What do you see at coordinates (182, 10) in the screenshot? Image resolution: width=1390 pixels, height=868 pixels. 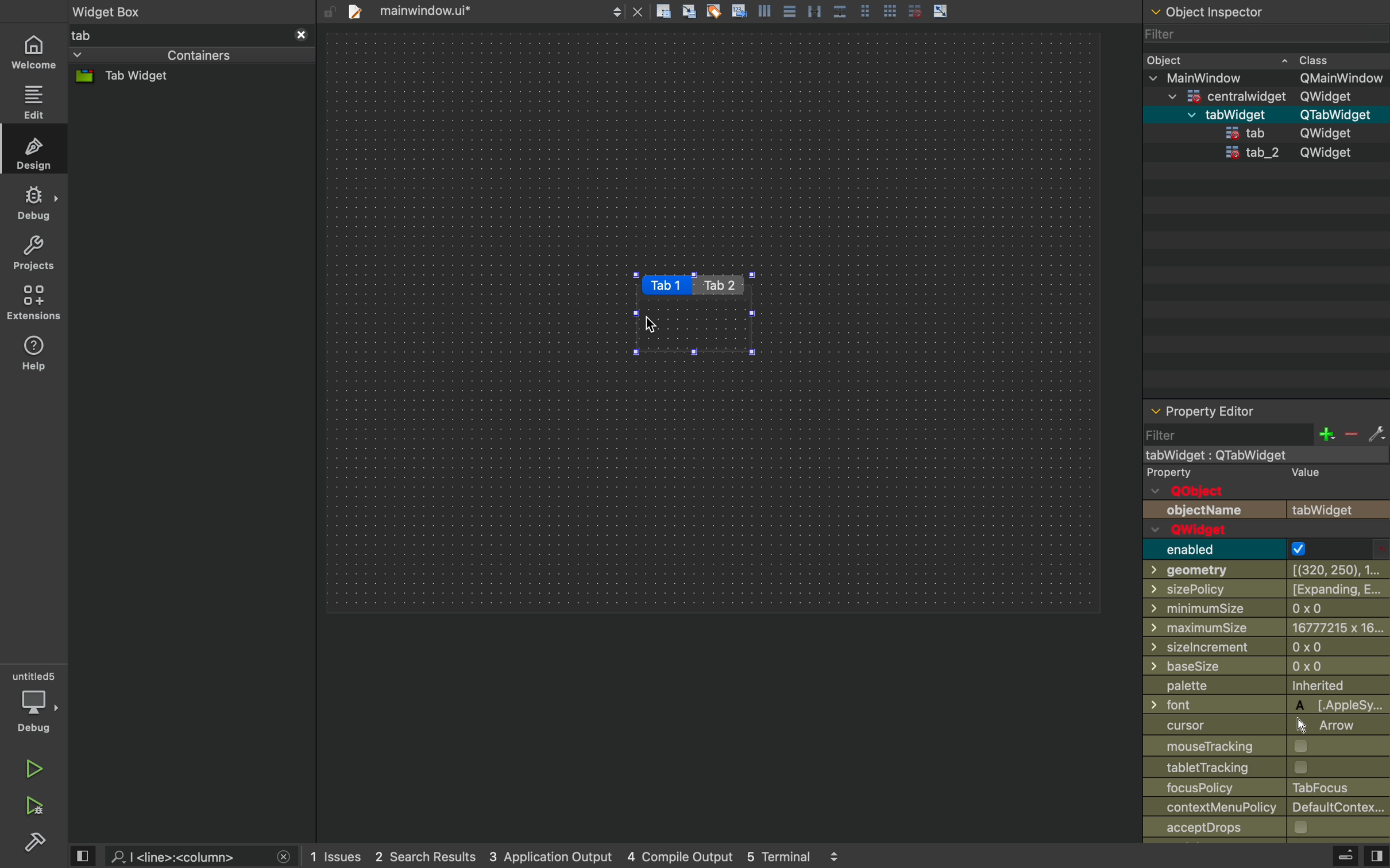 I see `widget box` at bounding box center [182, 10].